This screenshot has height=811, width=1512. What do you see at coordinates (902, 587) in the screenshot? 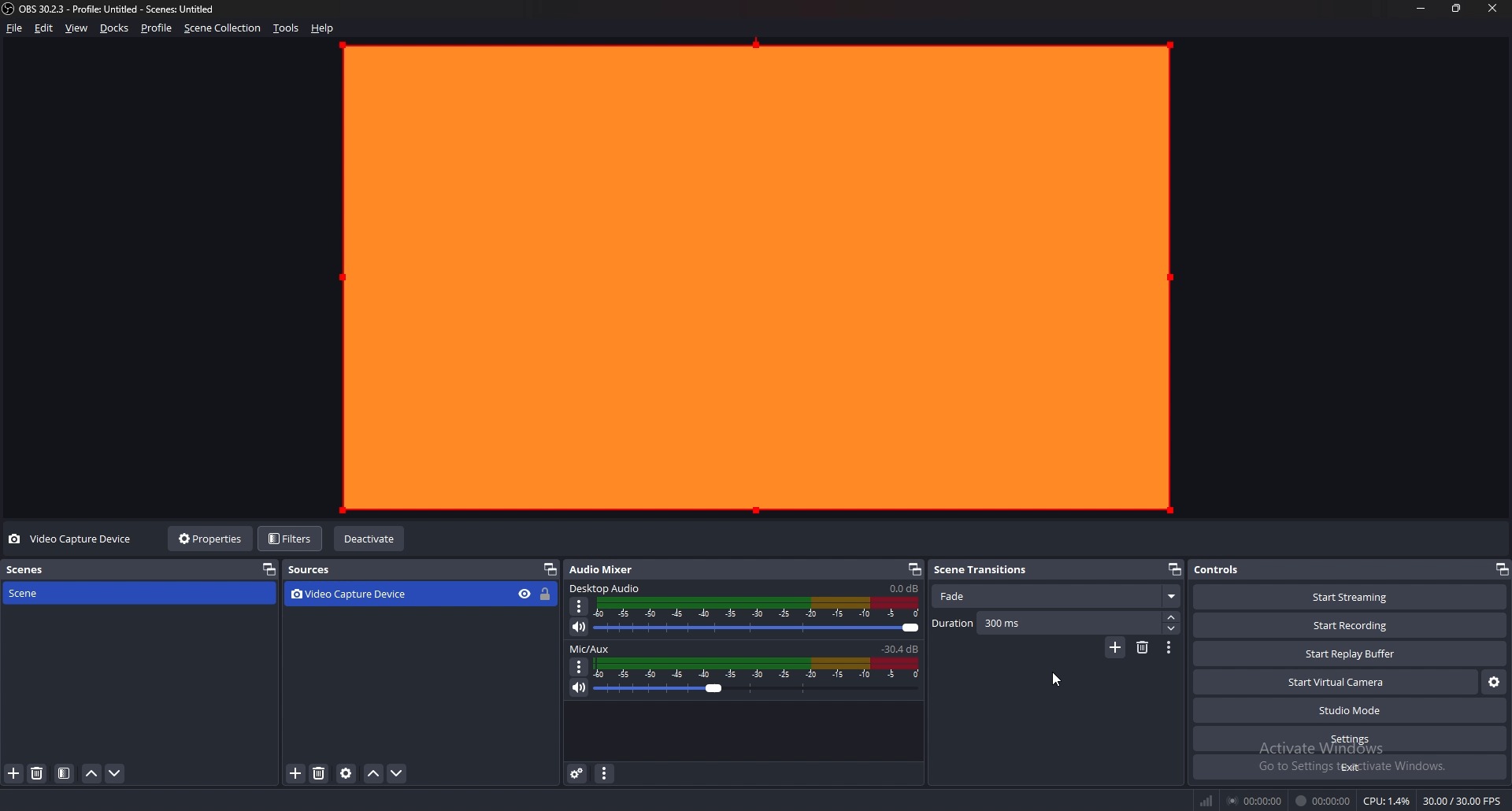
I see `0.0db` at bounding box center [902, 587].